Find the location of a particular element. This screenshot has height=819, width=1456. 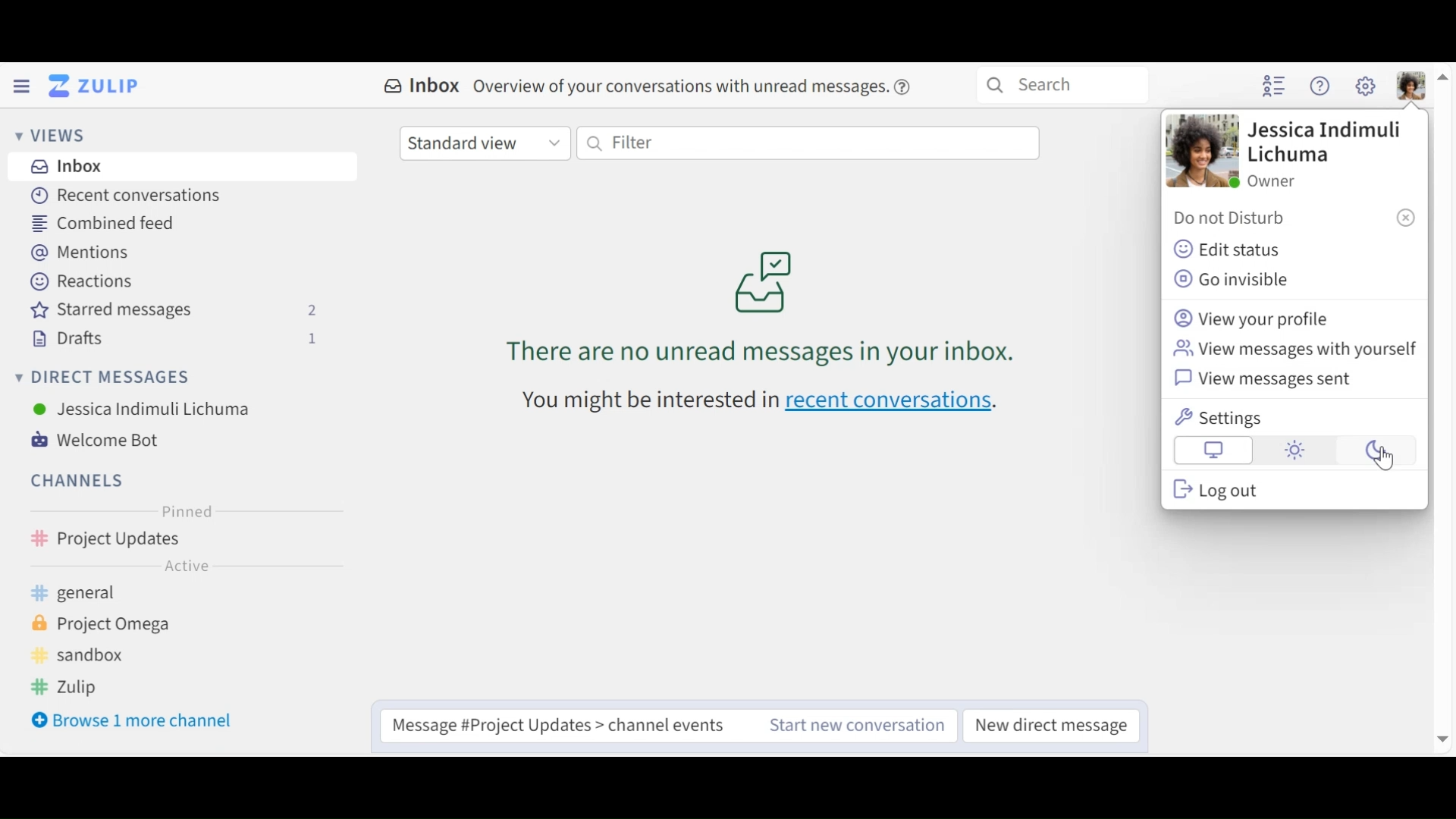

recent conversations. is located at coordinates (899, 404).